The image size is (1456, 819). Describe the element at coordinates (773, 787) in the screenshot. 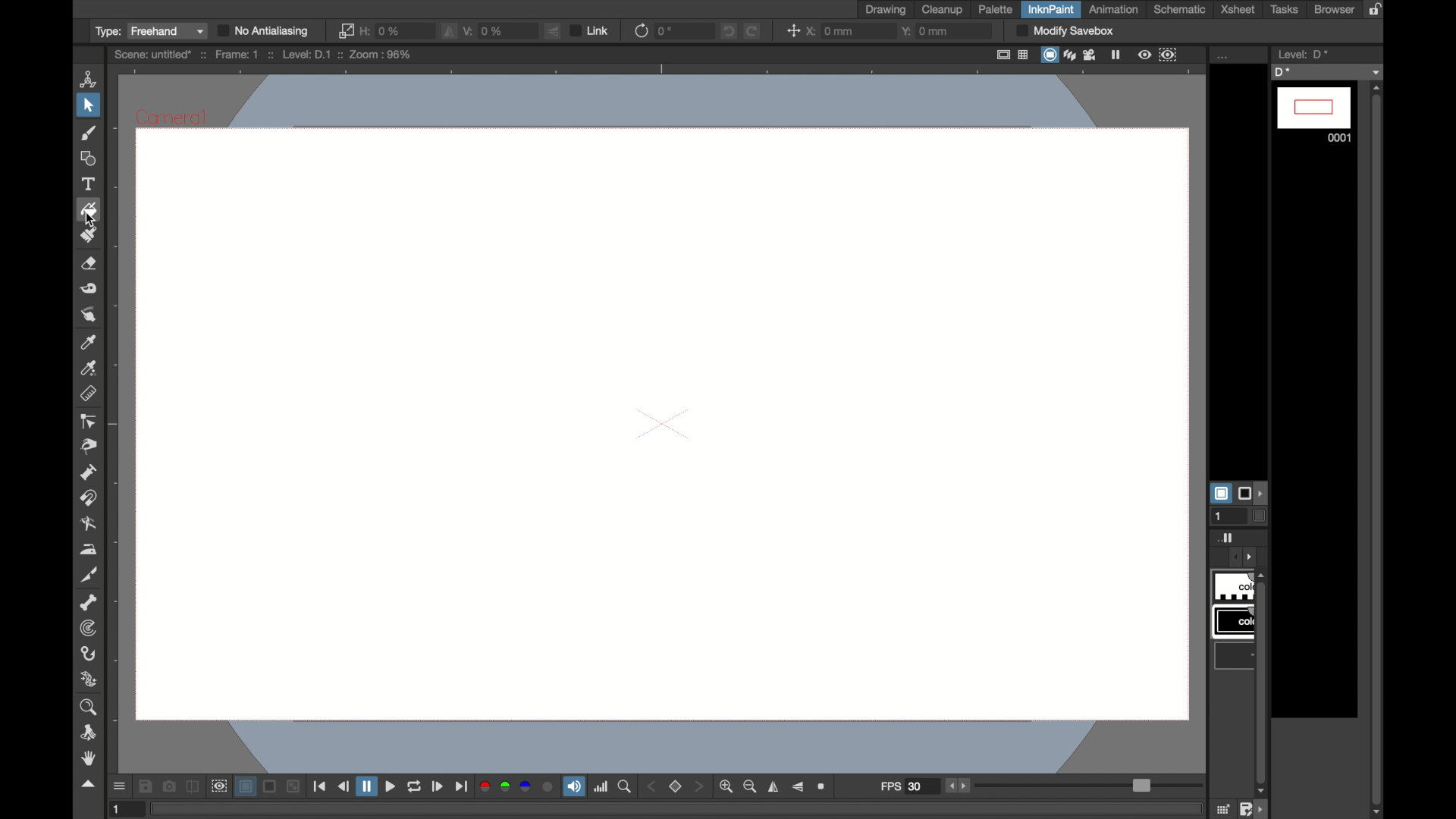

I see `flip horizontally` at that location.